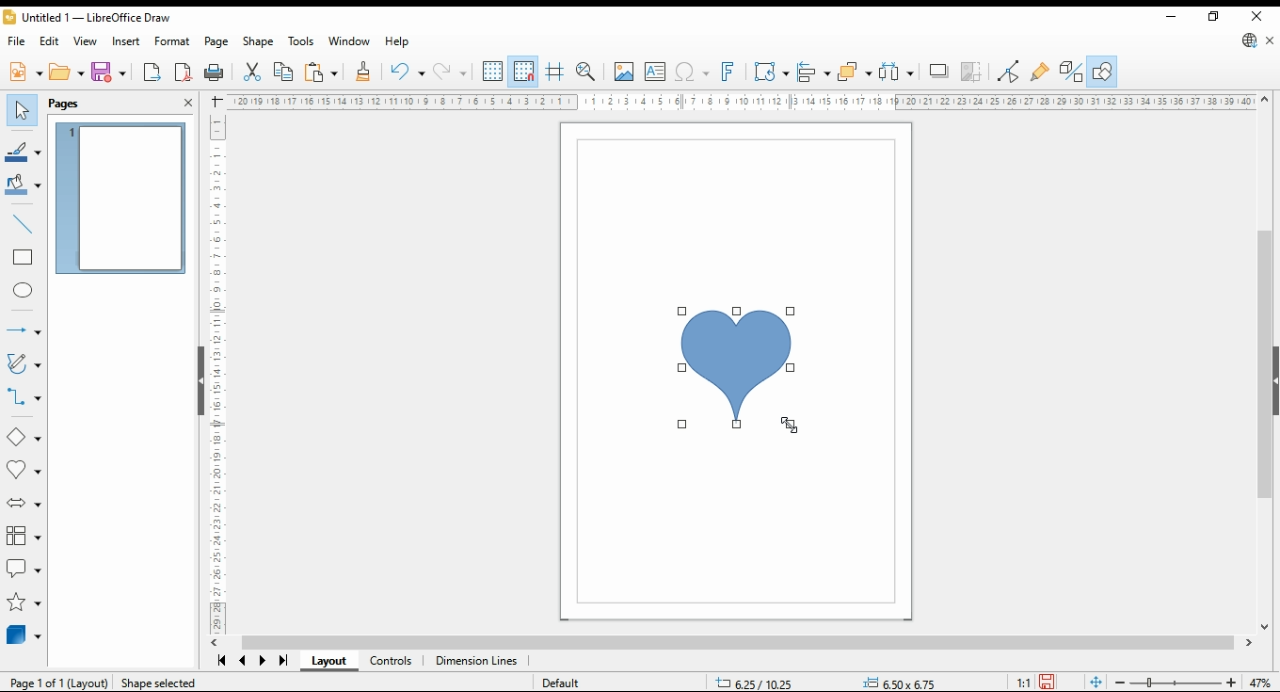 Image resolution: width=1280 pixels, height=692 pixels. I want to click on close document, so click(1270, 40).